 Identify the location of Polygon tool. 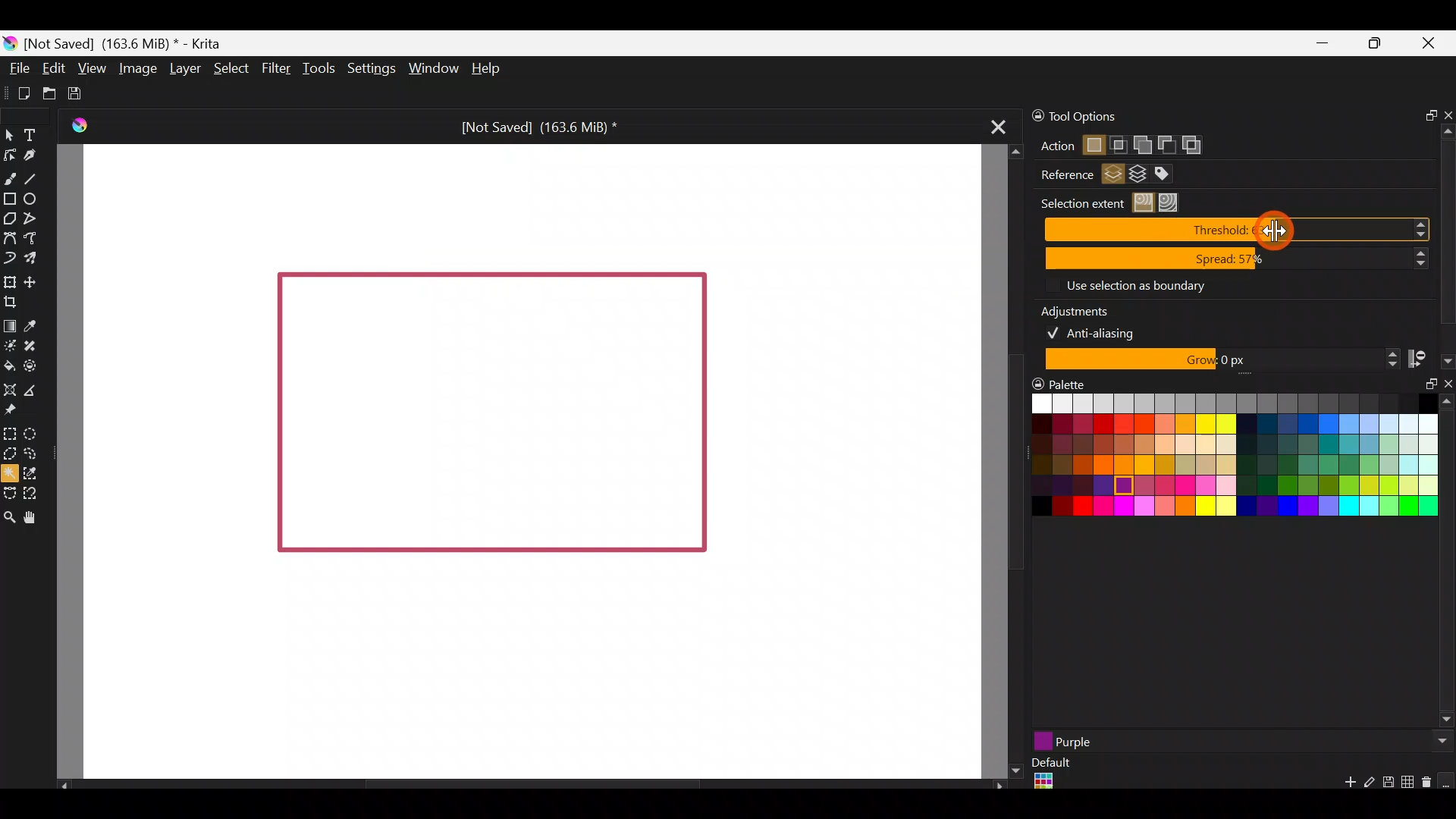
(10, 218).